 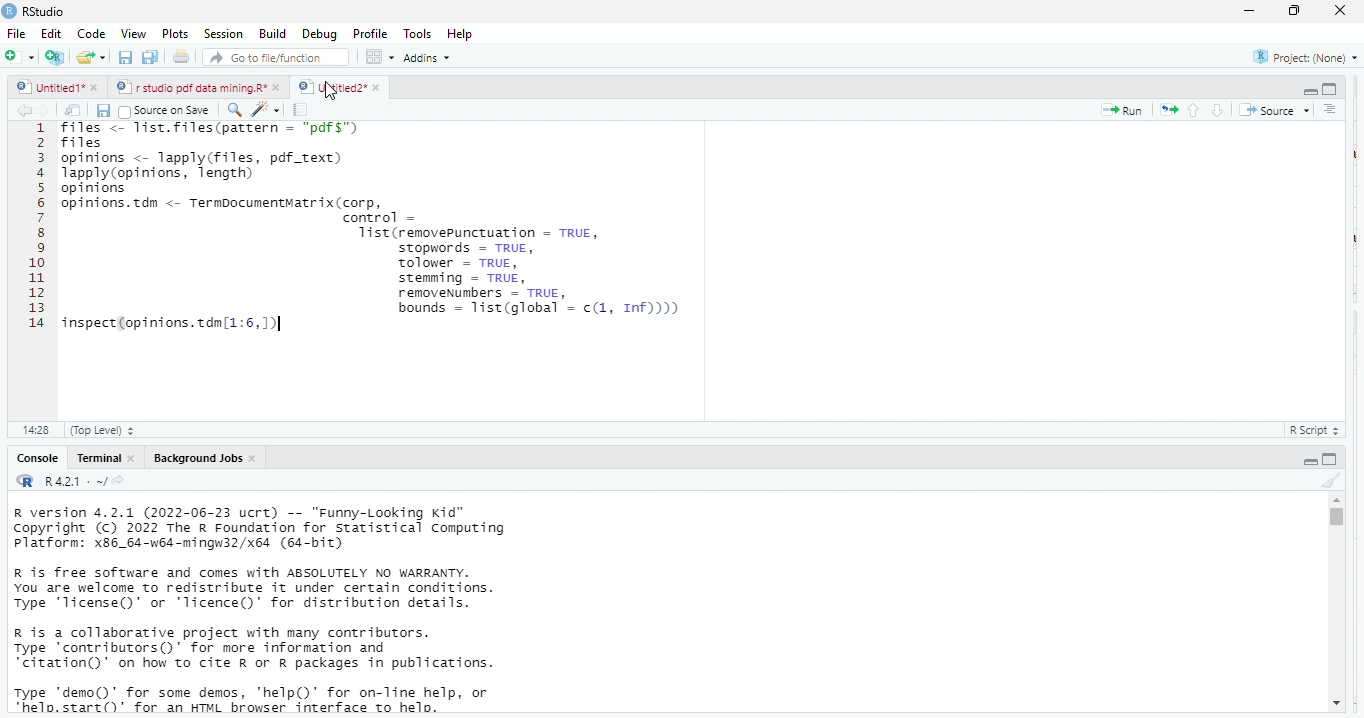 I want to click on go forward to the next source location, so click(x=47, y=110).